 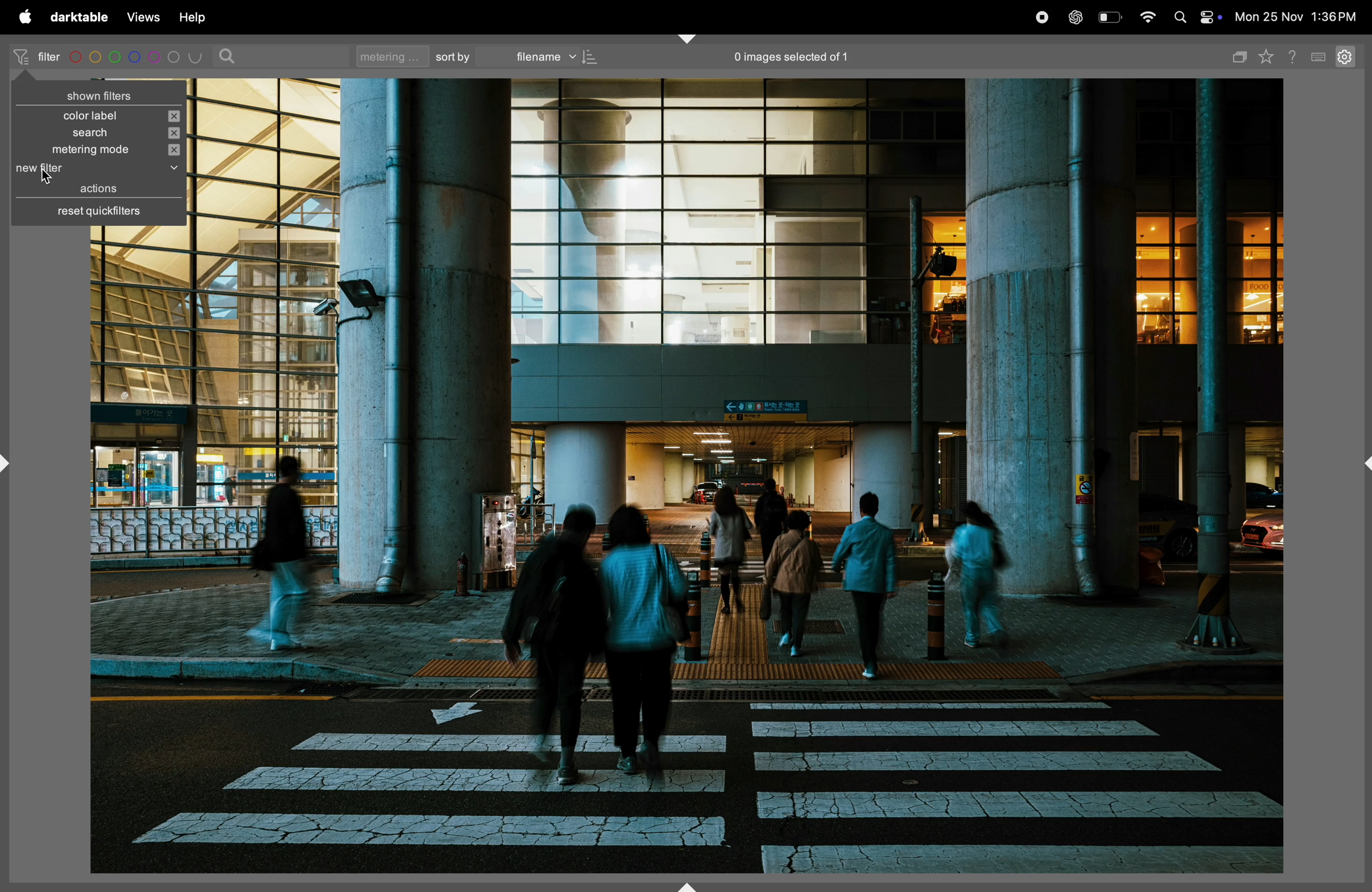 I want to click on apple menu, so click(x=25, y=18).